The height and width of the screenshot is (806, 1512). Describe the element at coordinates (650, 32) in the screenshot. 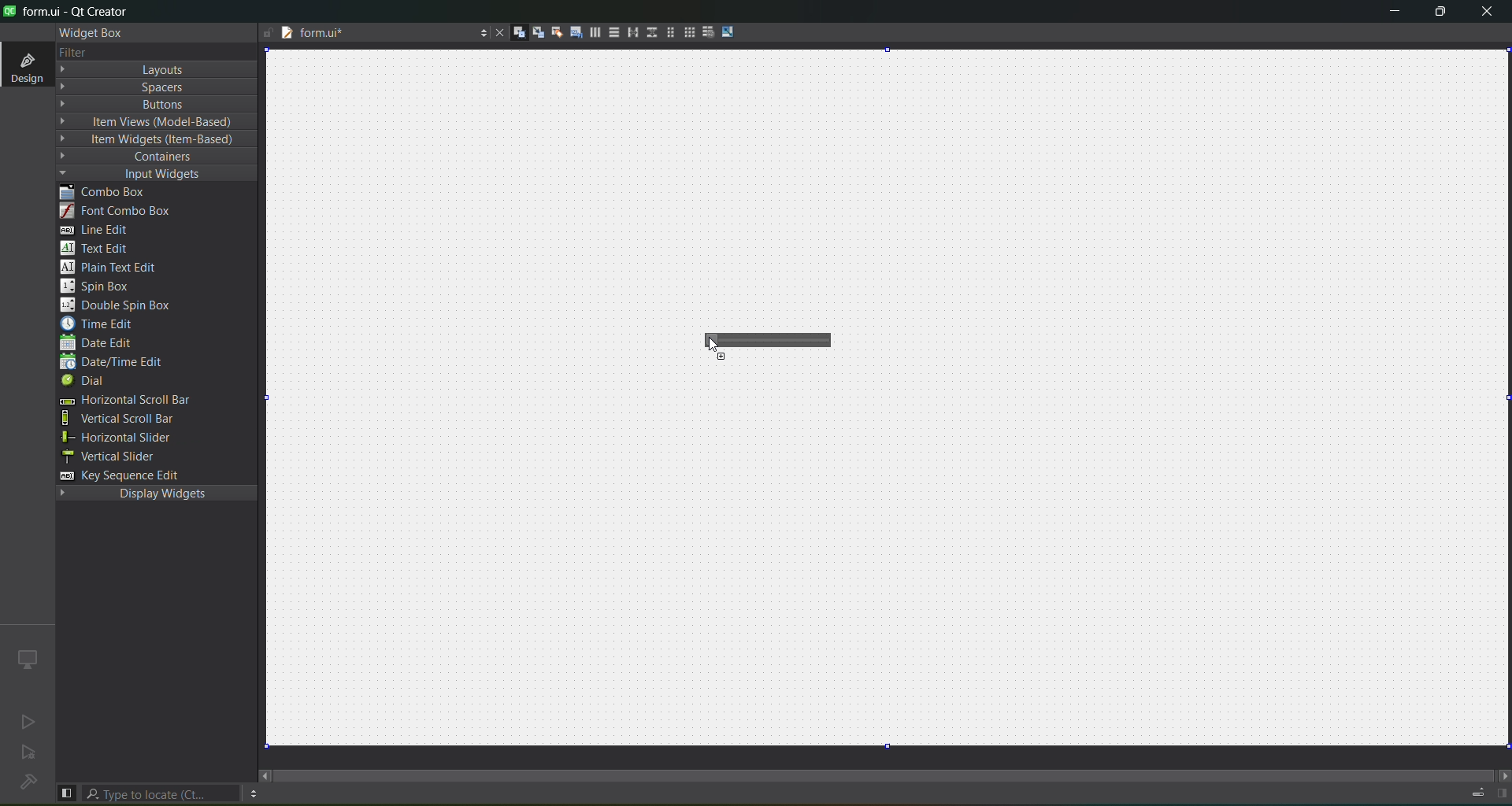

I see `vertical splitter` at that location.